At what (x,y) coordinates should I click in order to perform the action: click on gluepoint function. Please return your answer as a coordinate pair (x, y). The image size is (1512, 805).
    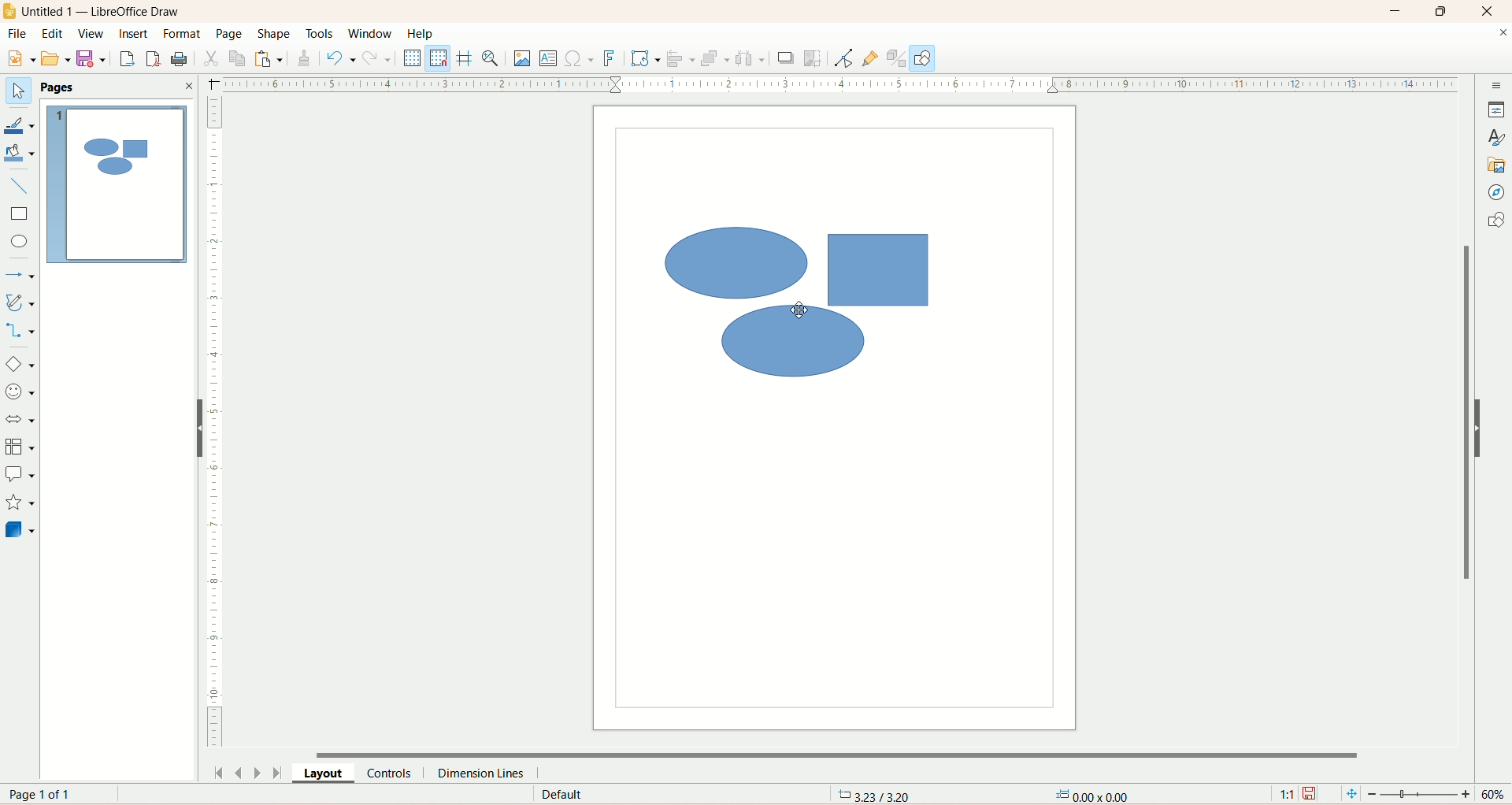
    Looking at the image, I should click on (869, 59).